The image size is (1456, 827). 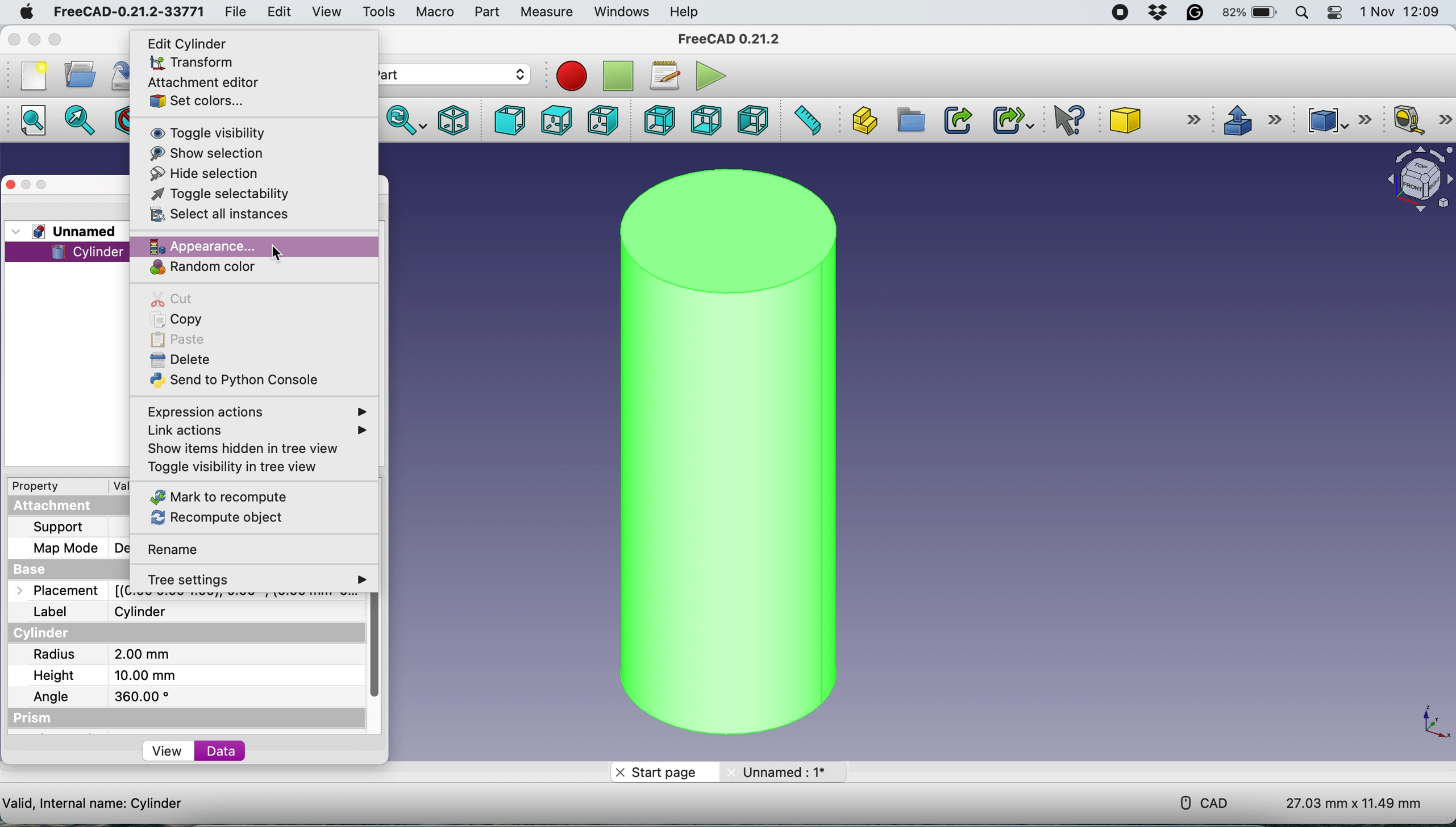 What do you see at coordinates (203, 82) in the screenshot?
I see `attachment editor` at bounding box center [203, 82].